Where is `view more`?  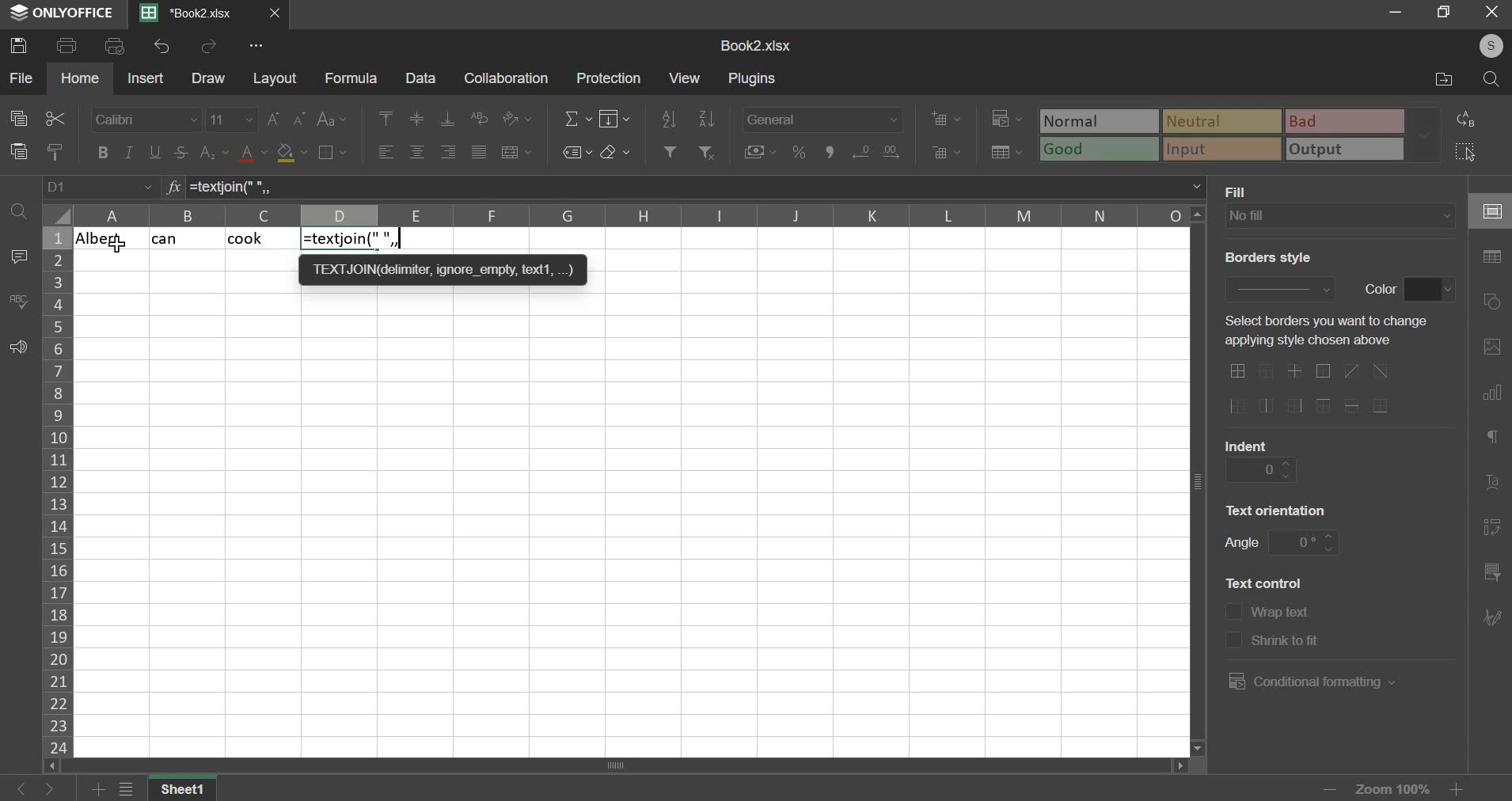
view more is located at coordinates (258, 46).